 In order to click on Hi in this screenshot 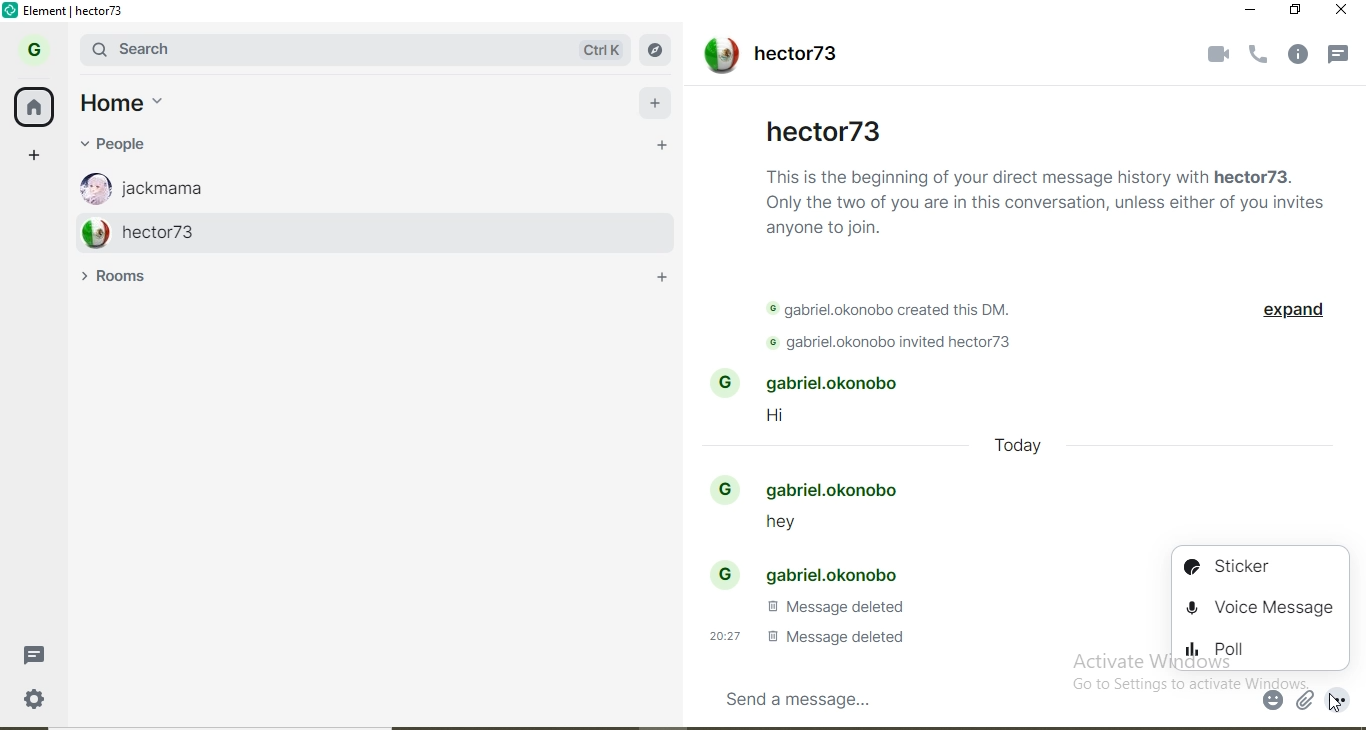, I will do `click(788, 419)`.